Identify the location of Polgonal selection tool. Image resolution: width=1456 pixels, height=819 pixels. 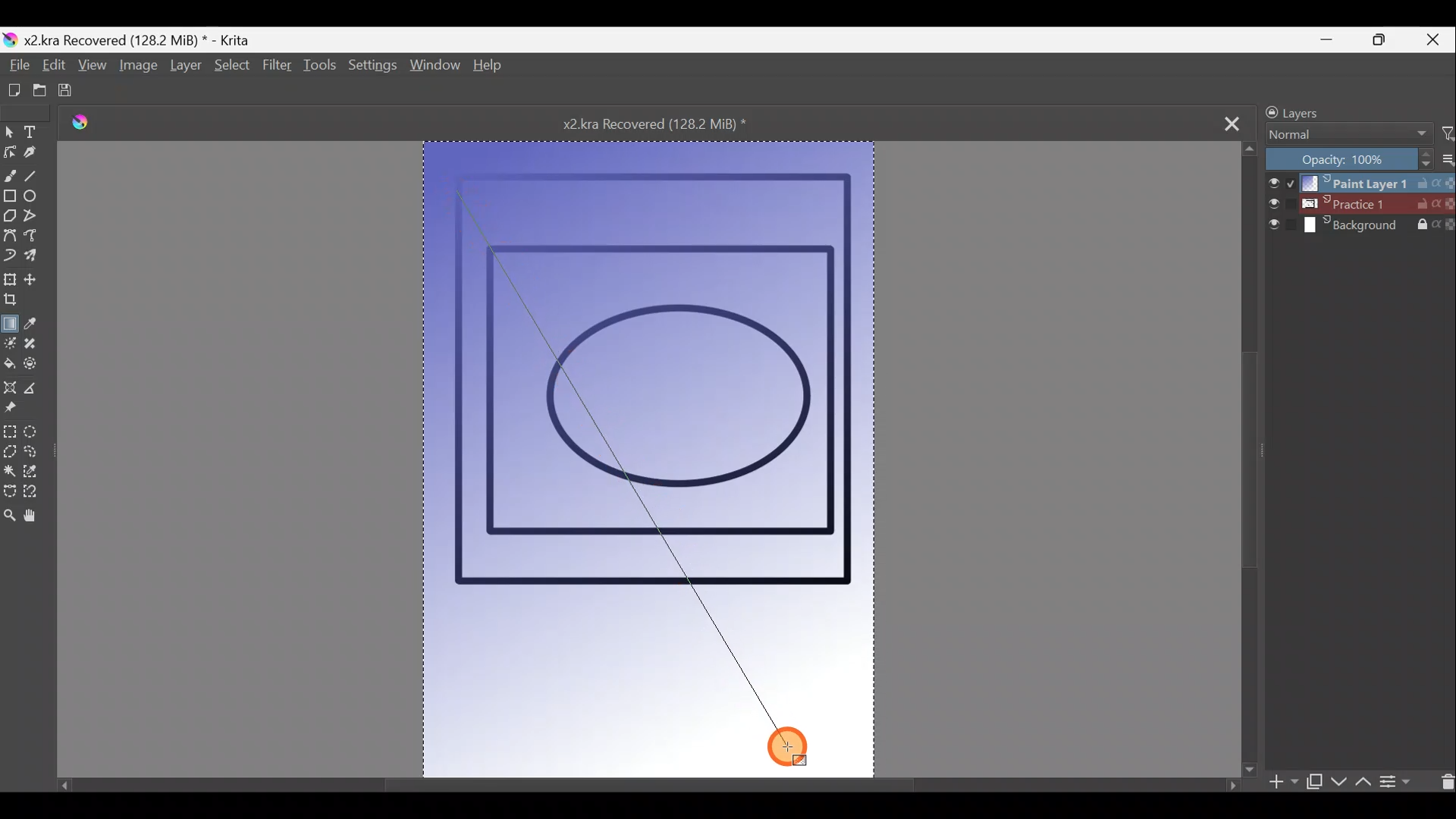
(9, 453).